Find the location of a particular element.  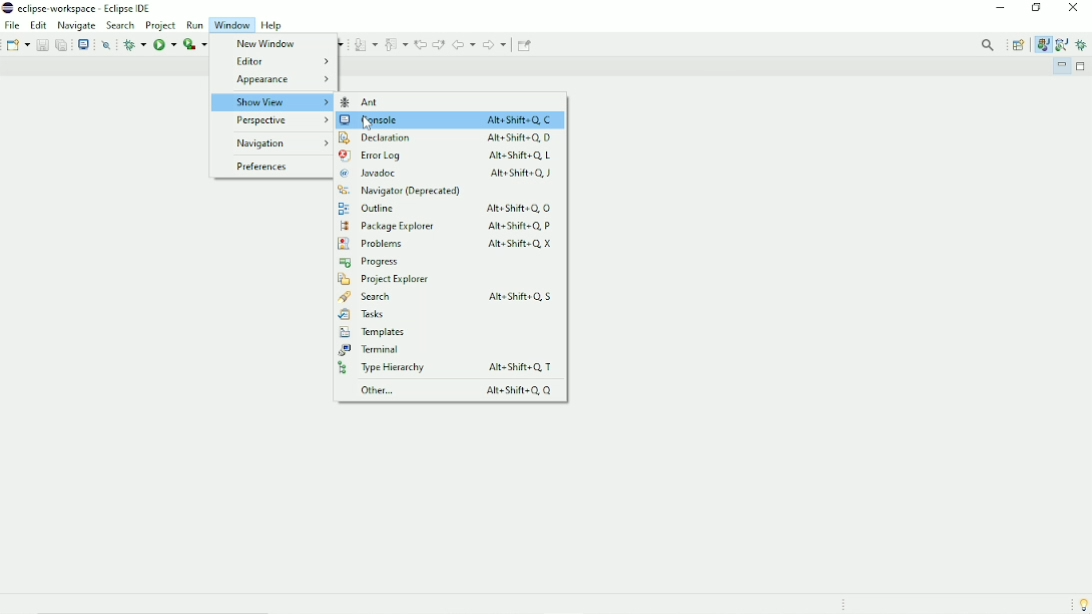

Save is located at coordinates (41, 44).